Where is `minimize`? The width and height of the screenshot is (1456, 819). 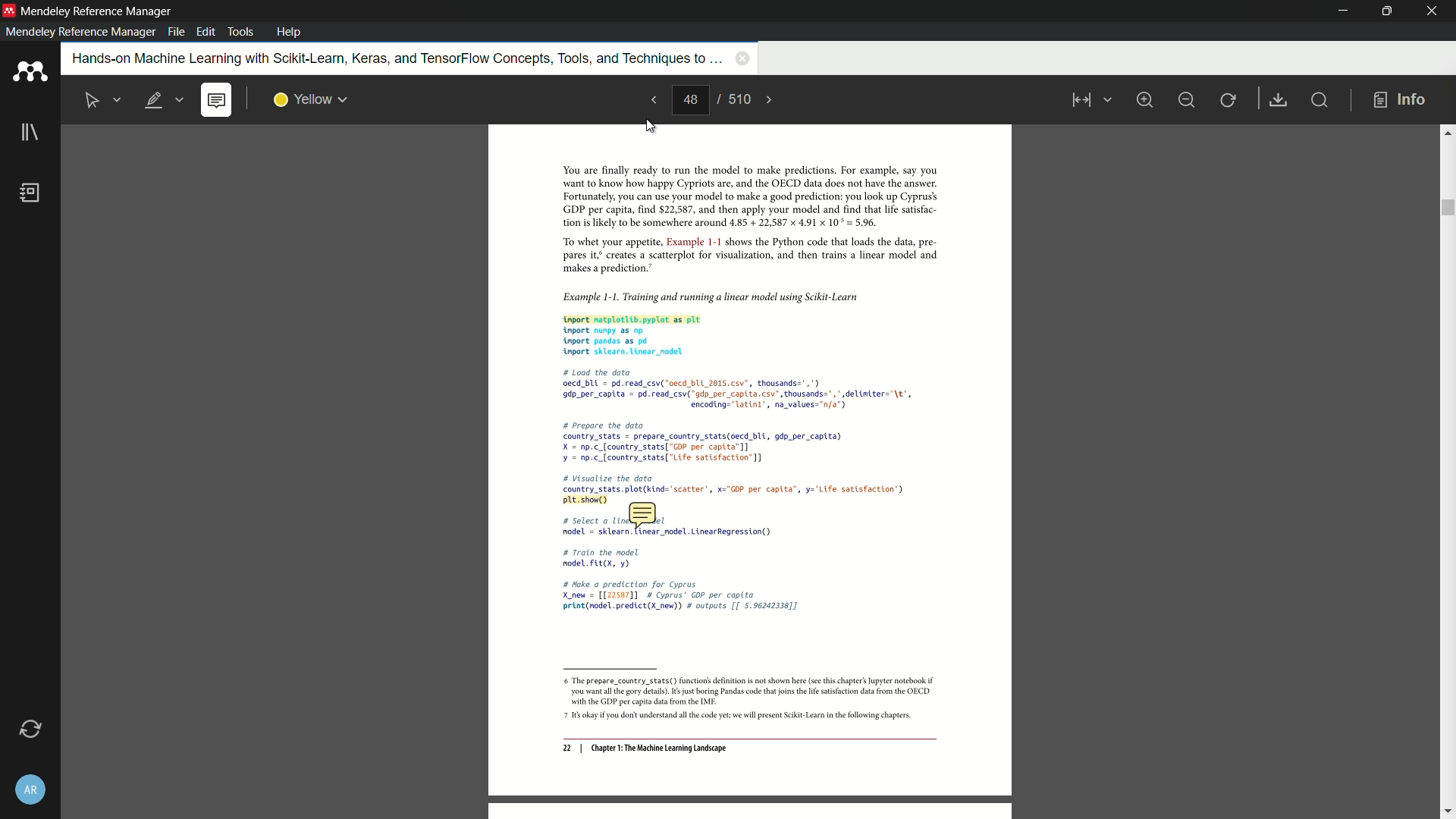 minimize is located at coordinates (1345, 11).